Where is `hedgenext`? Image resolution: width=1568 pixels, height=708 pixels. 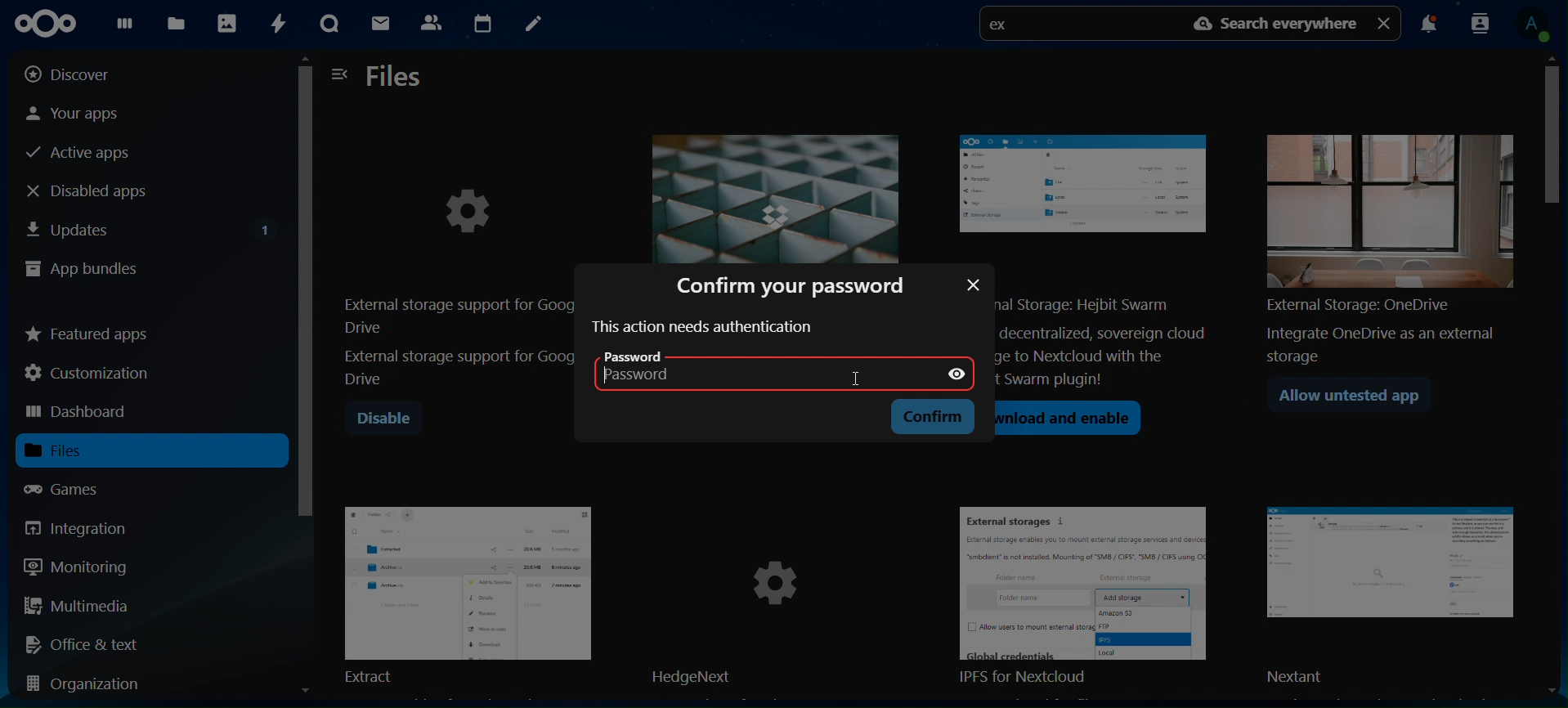 hedgenext is located at coordinates (778, 598).